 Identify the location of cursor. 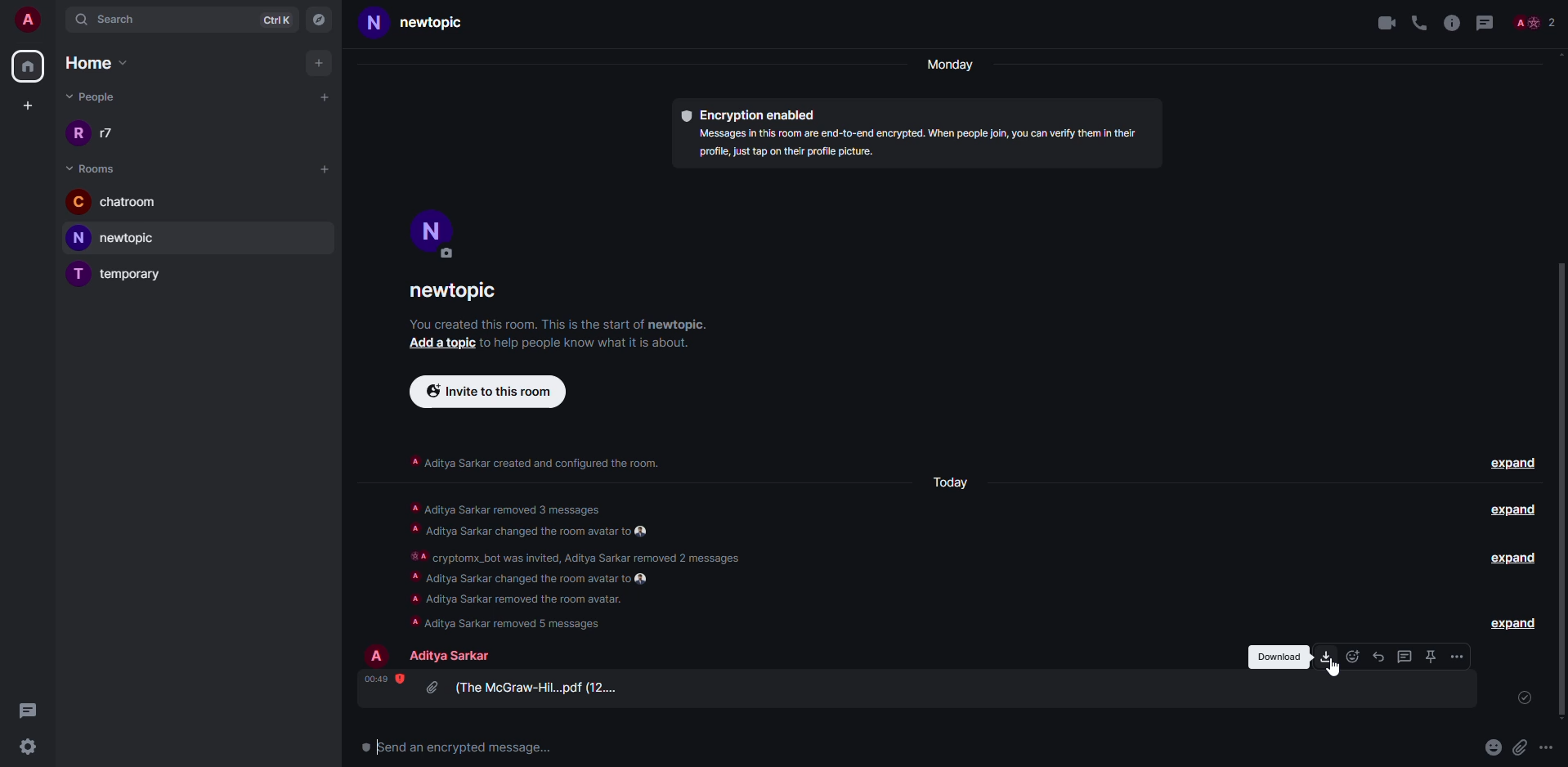
(1335, 674).